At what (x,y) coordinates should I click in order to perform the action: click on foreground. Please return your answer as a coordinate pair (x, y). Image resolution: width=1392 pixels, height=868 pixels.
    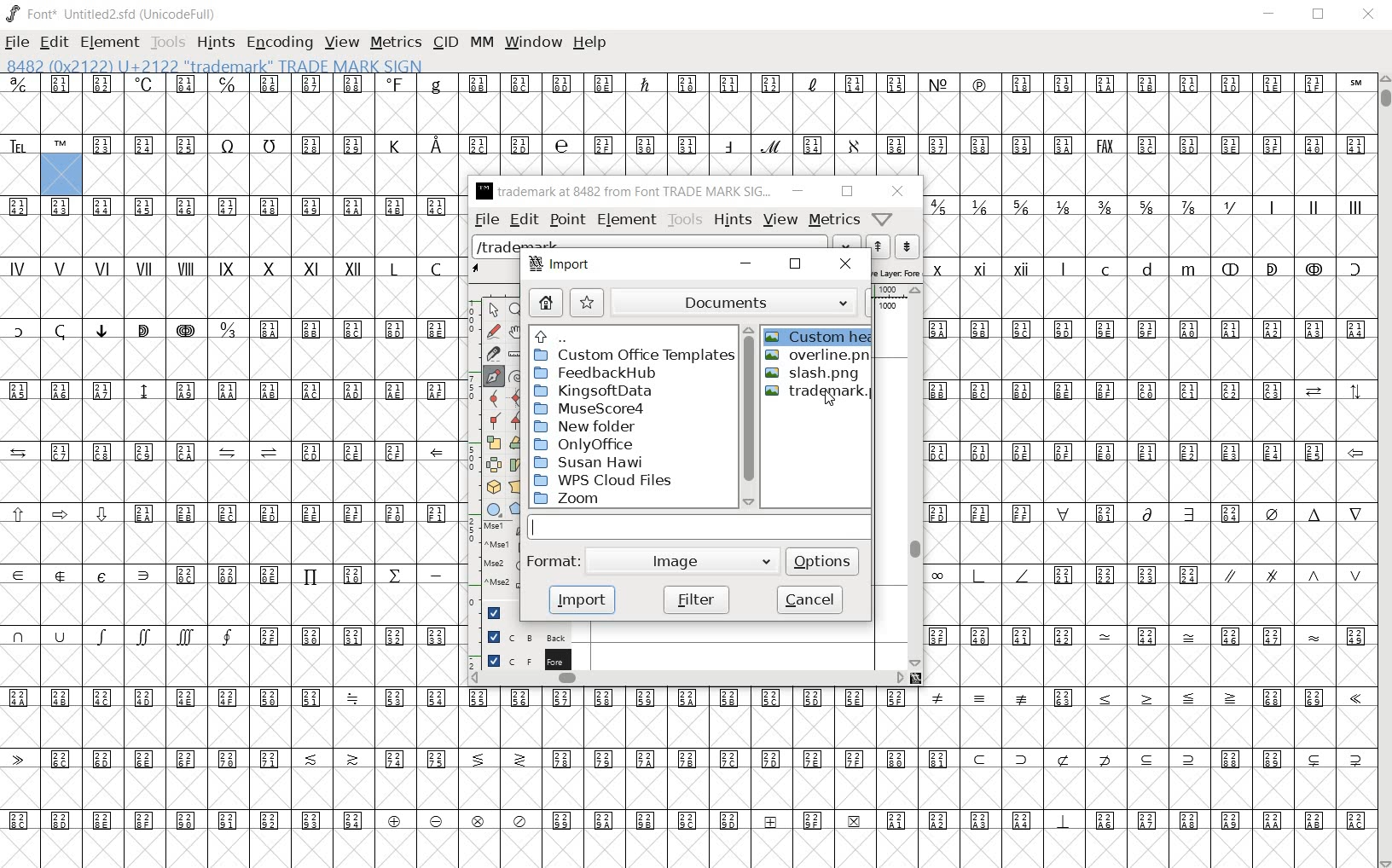
    Looking at the image, I should click on (522, 658).